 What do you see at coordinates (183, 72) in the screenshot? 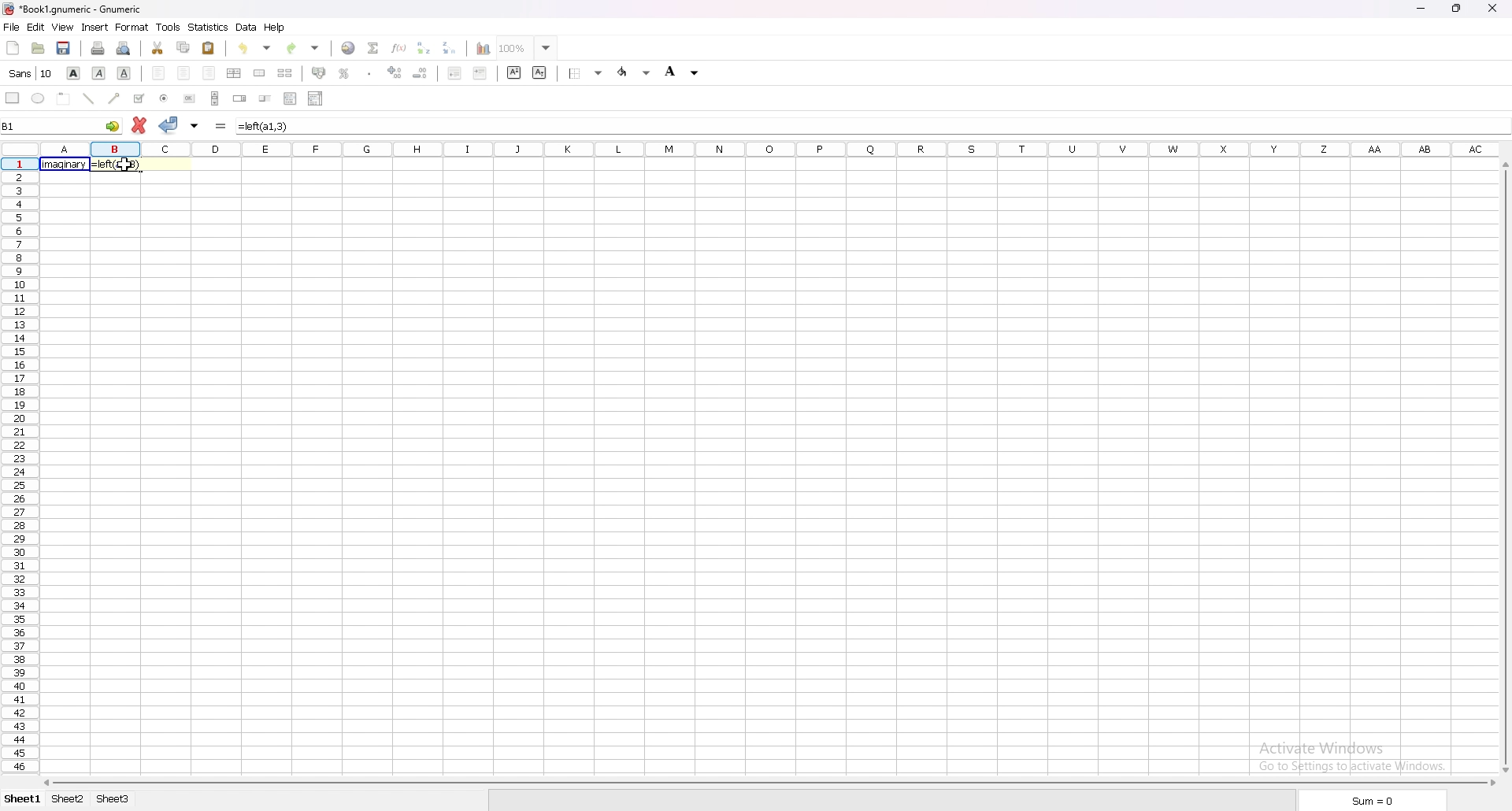
I see `centre` at bounding box center [183, 72].